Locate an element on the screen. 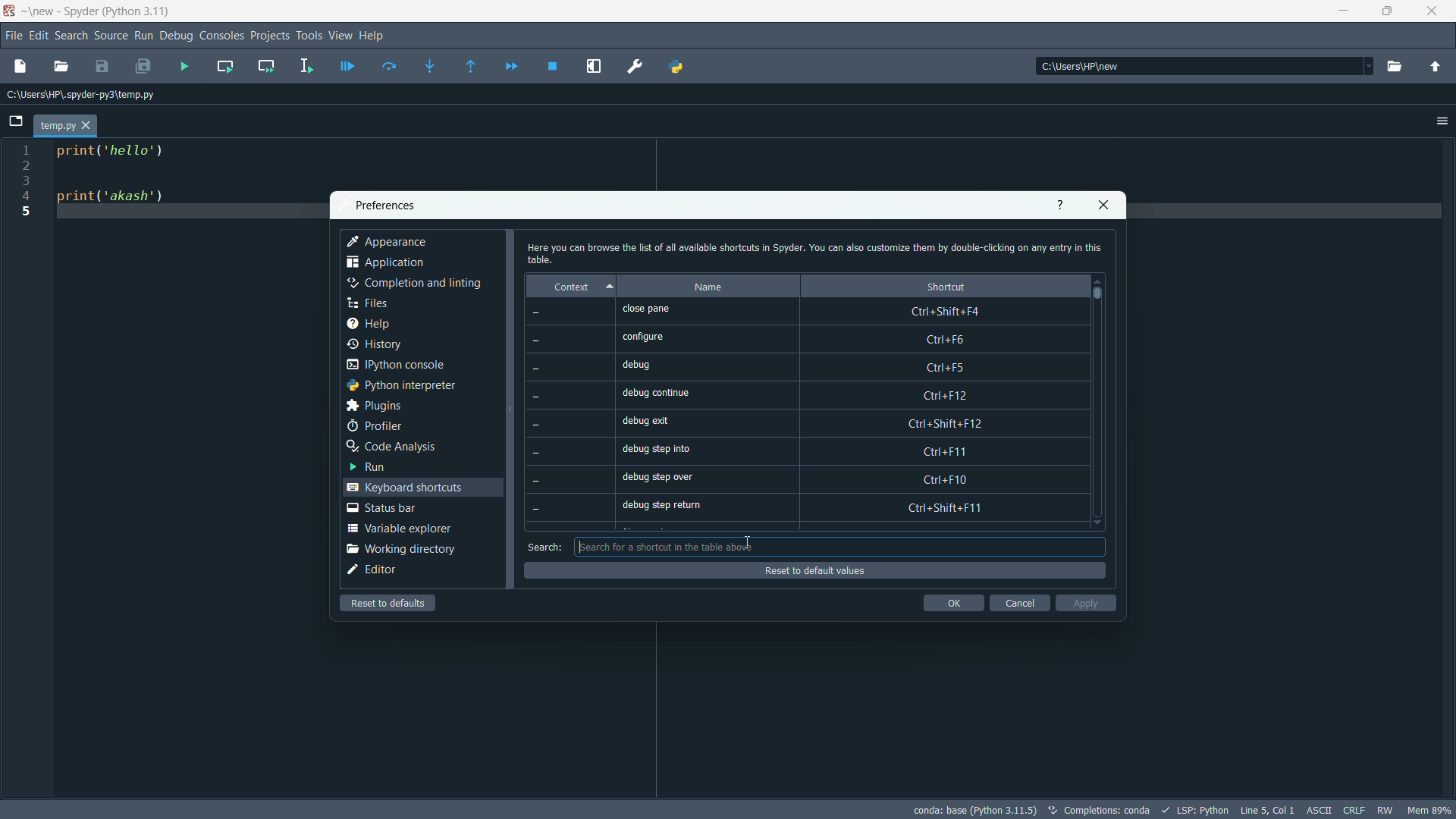 This screenshot has width=1456, height=819. 2 is located at coordinates (25, 165).